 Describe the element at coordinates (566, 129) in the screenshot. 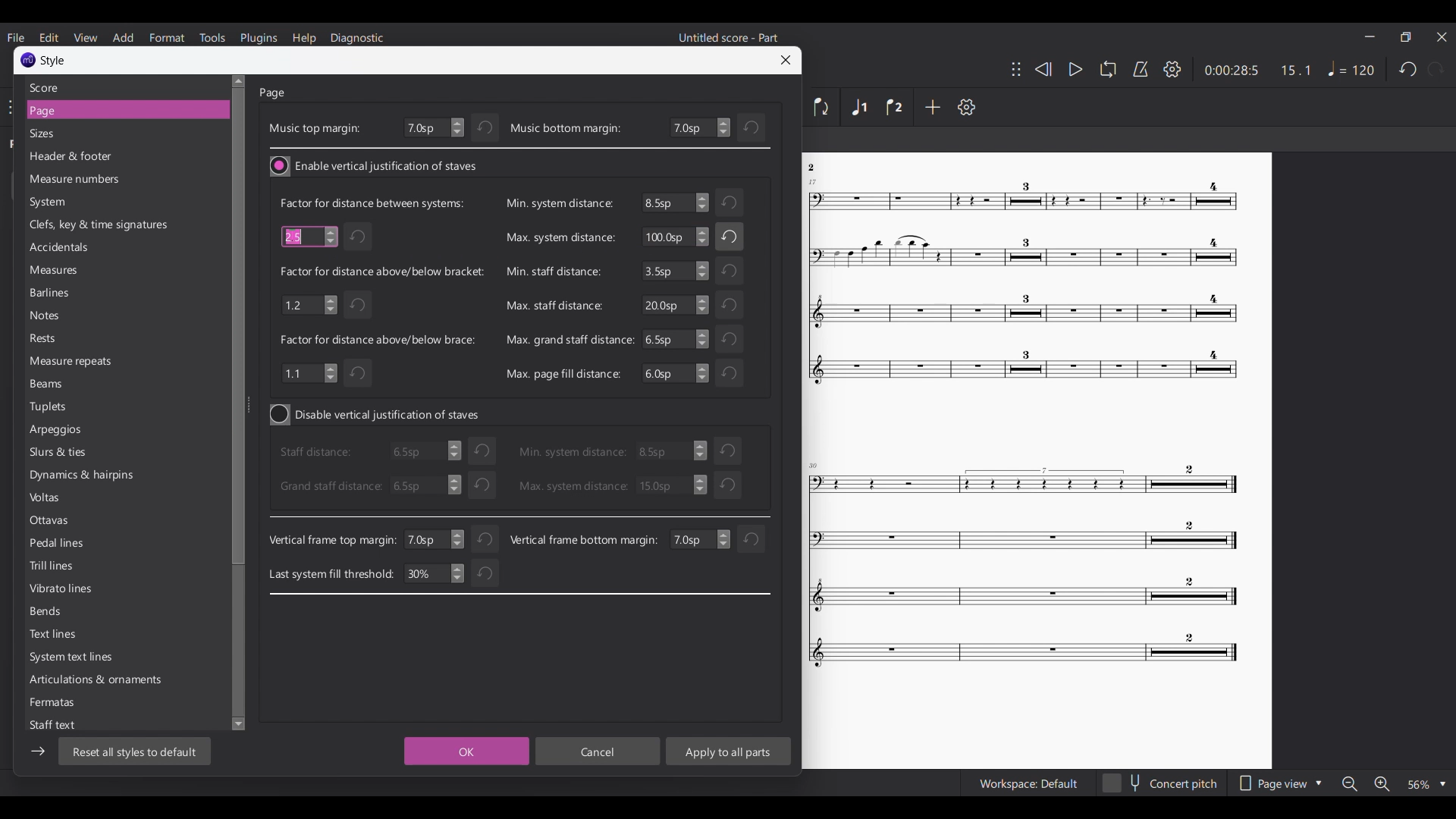

I see `music bottom margin` at that location.